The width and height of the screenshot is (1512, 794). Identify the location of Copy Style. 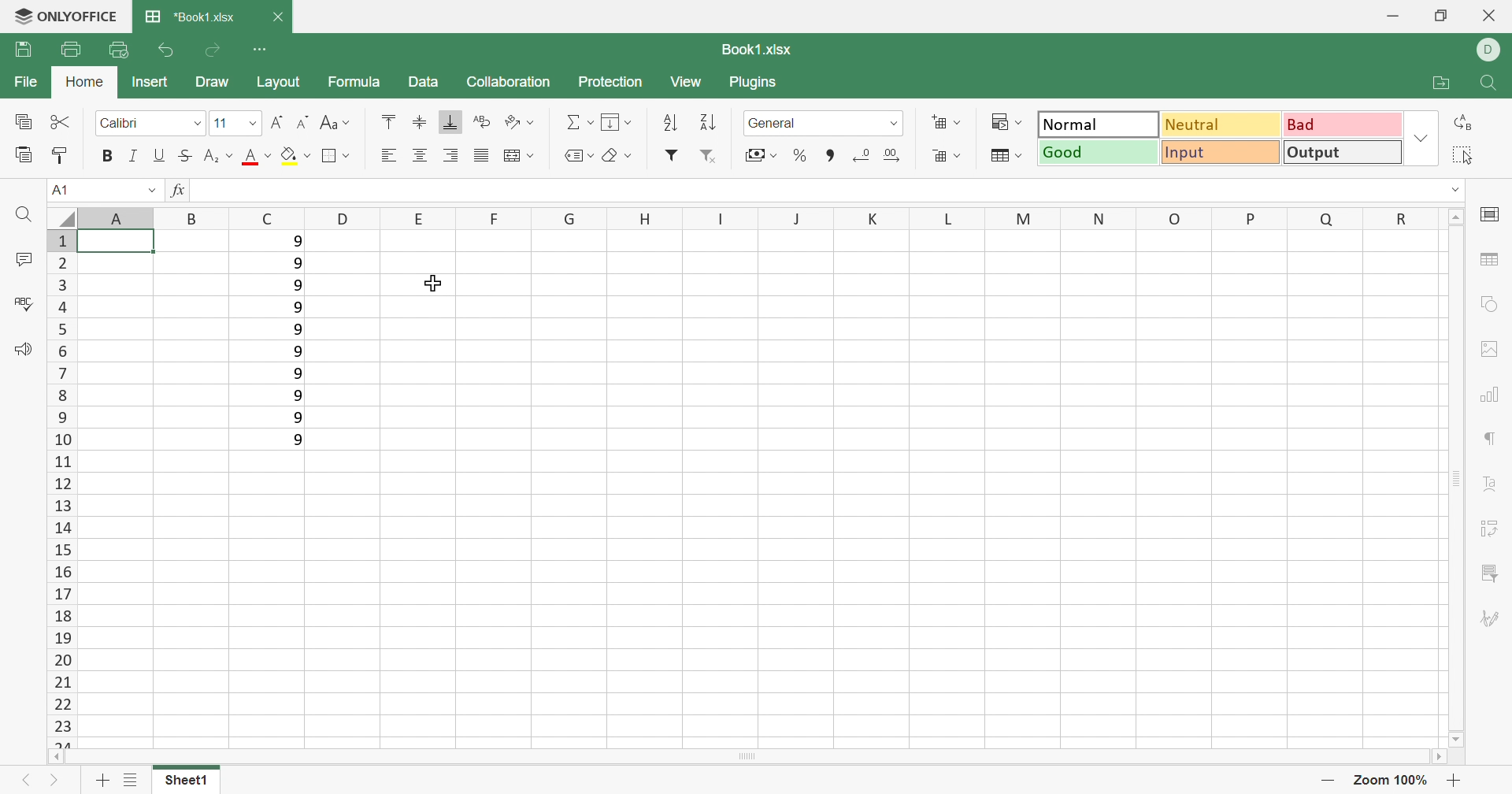
(61, 155).